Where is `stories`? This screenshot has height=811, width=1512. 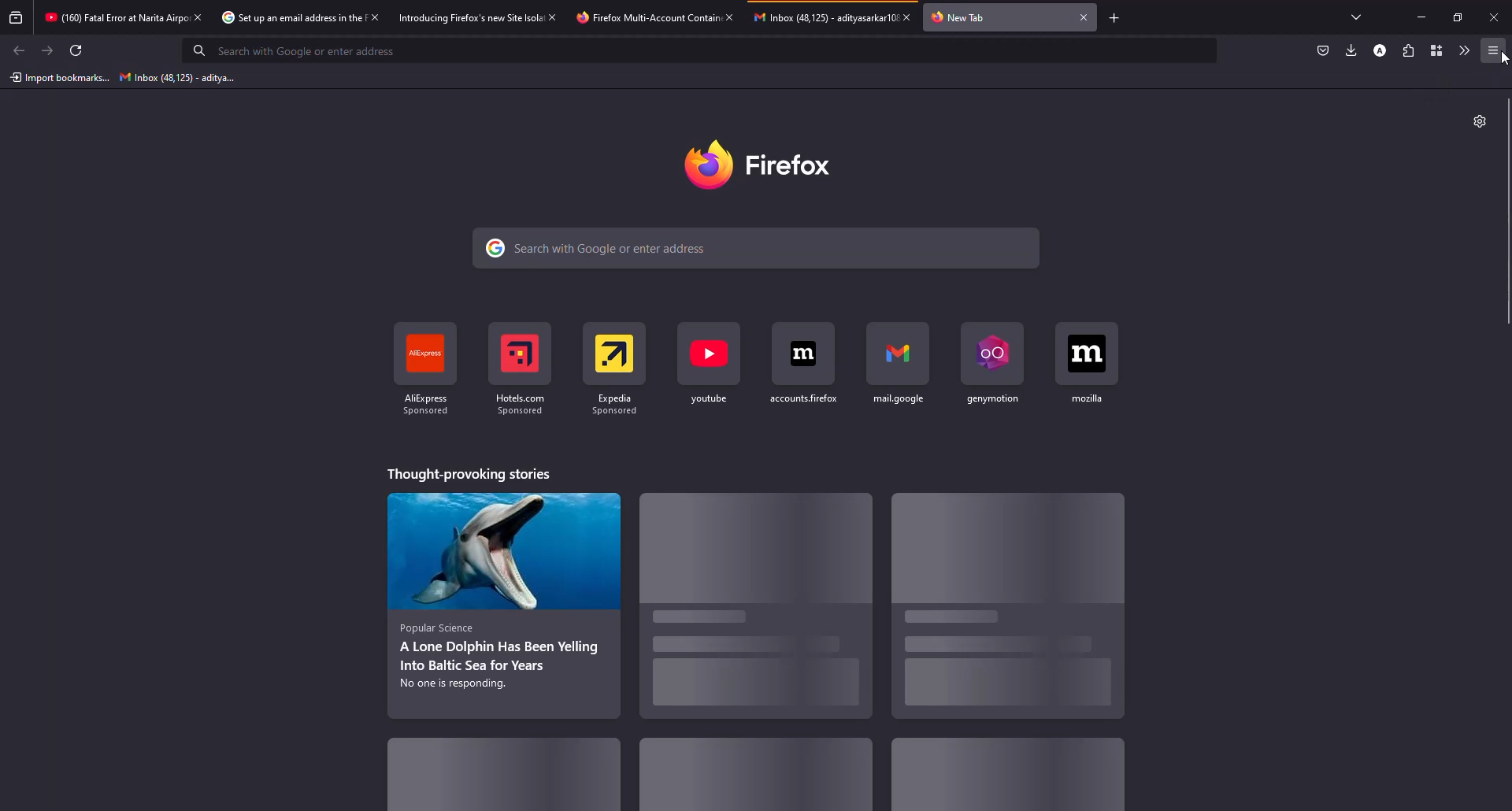 stories is located at coordinates (1003, 783).